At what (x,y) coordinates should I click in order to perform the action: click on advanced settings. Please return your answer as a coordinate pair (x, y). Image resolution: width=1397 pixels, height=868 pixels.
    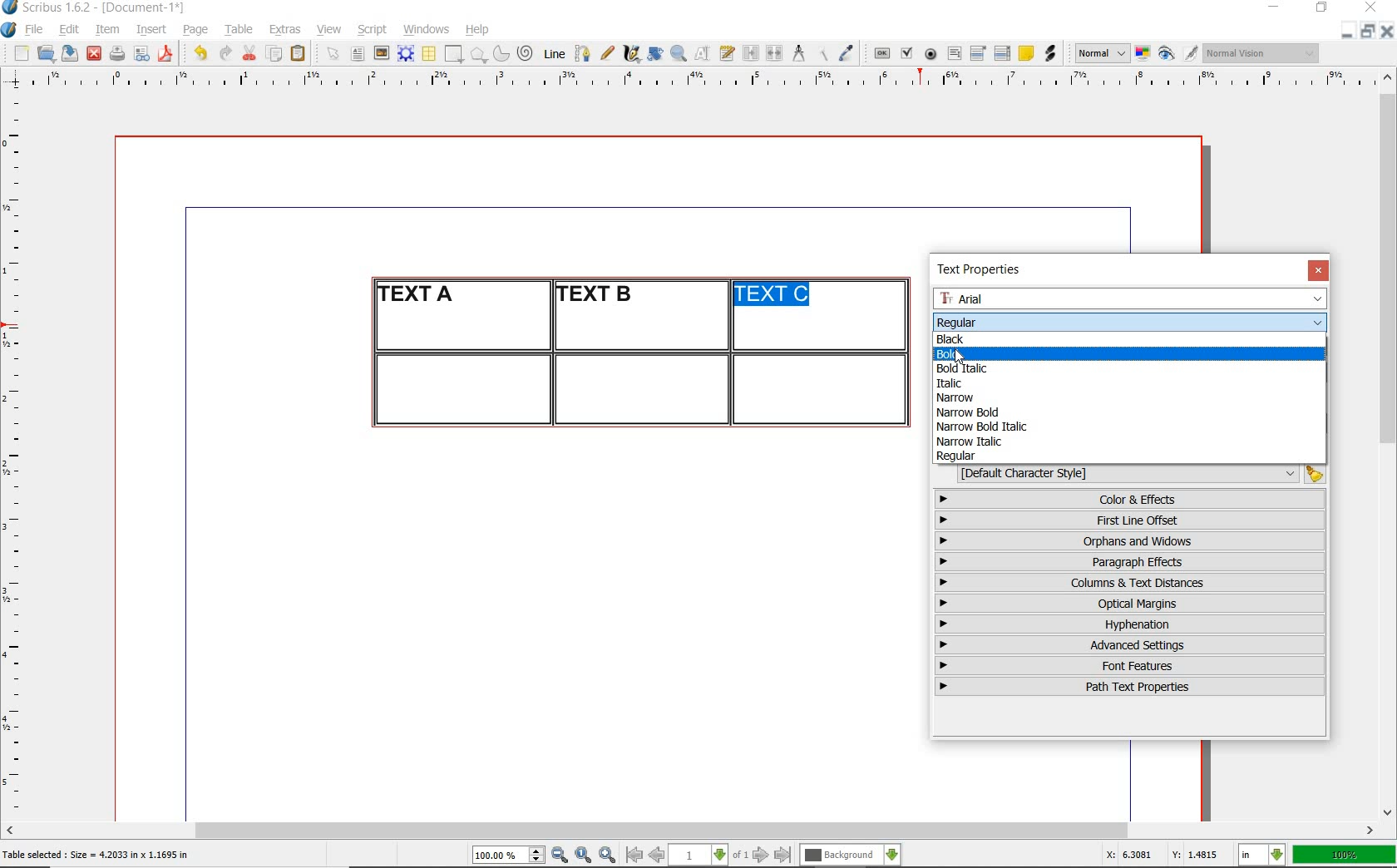
    Looking at the image, I should click on (1128, 644).